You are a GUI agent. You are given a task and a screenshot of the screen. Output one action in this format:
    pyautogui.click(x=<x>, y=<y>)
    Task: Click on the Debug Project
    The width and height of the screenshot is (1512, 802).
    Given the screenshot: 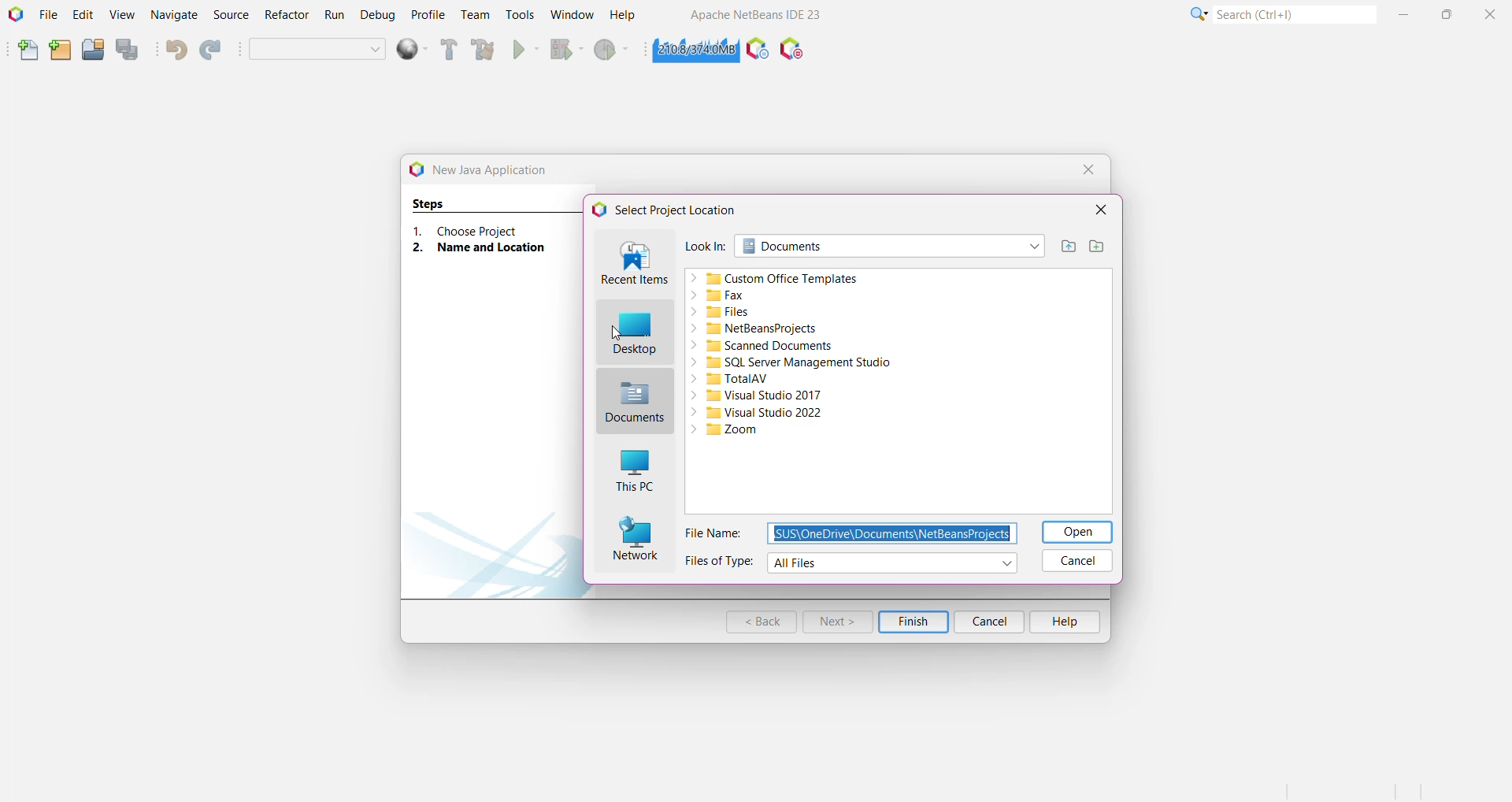 What is the action you would take?
    pyautogui.click(x=565, y=50)
    